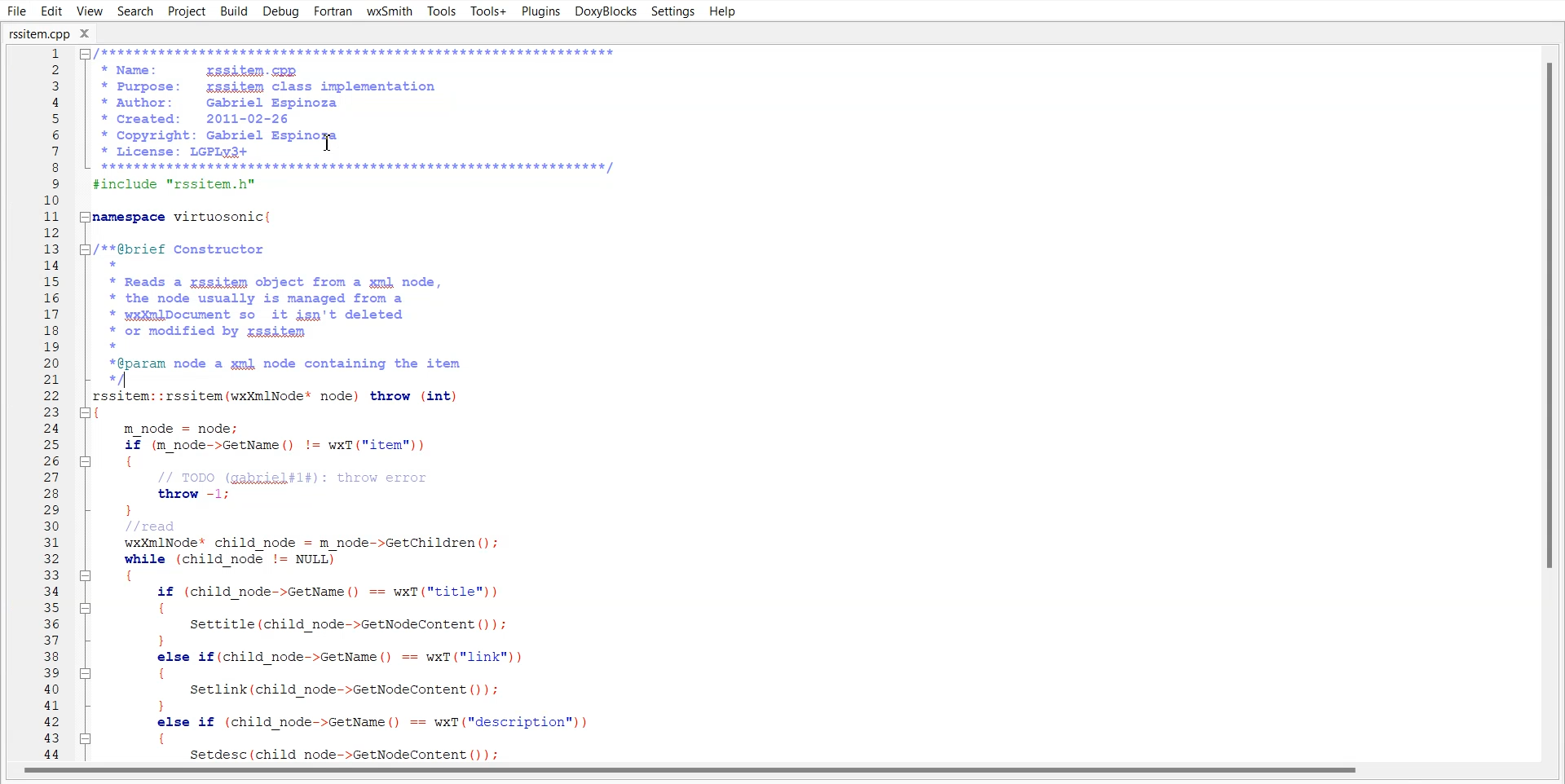 This screenshot has height=784, width=1565. Describe the element at coordinates (721, 11) in the screenshot. I see `Help` at that location.